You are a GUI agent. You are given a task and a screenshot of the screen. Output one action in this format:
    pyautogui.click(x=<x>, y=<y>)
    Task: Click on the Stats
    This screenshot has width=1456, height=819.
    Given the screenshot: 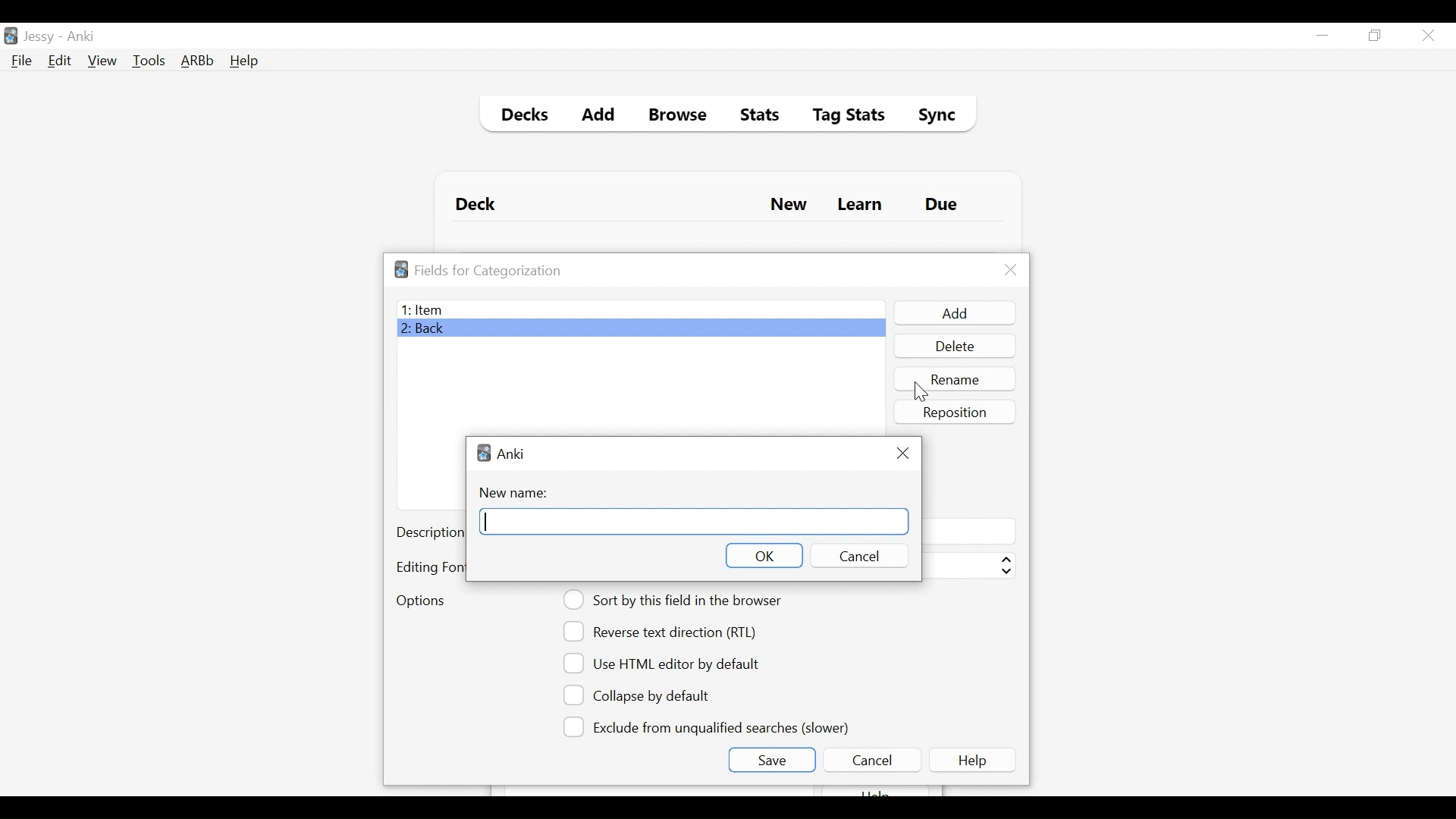 What is the action you would take?
    pyautogui.click(x=755, y=115)
    